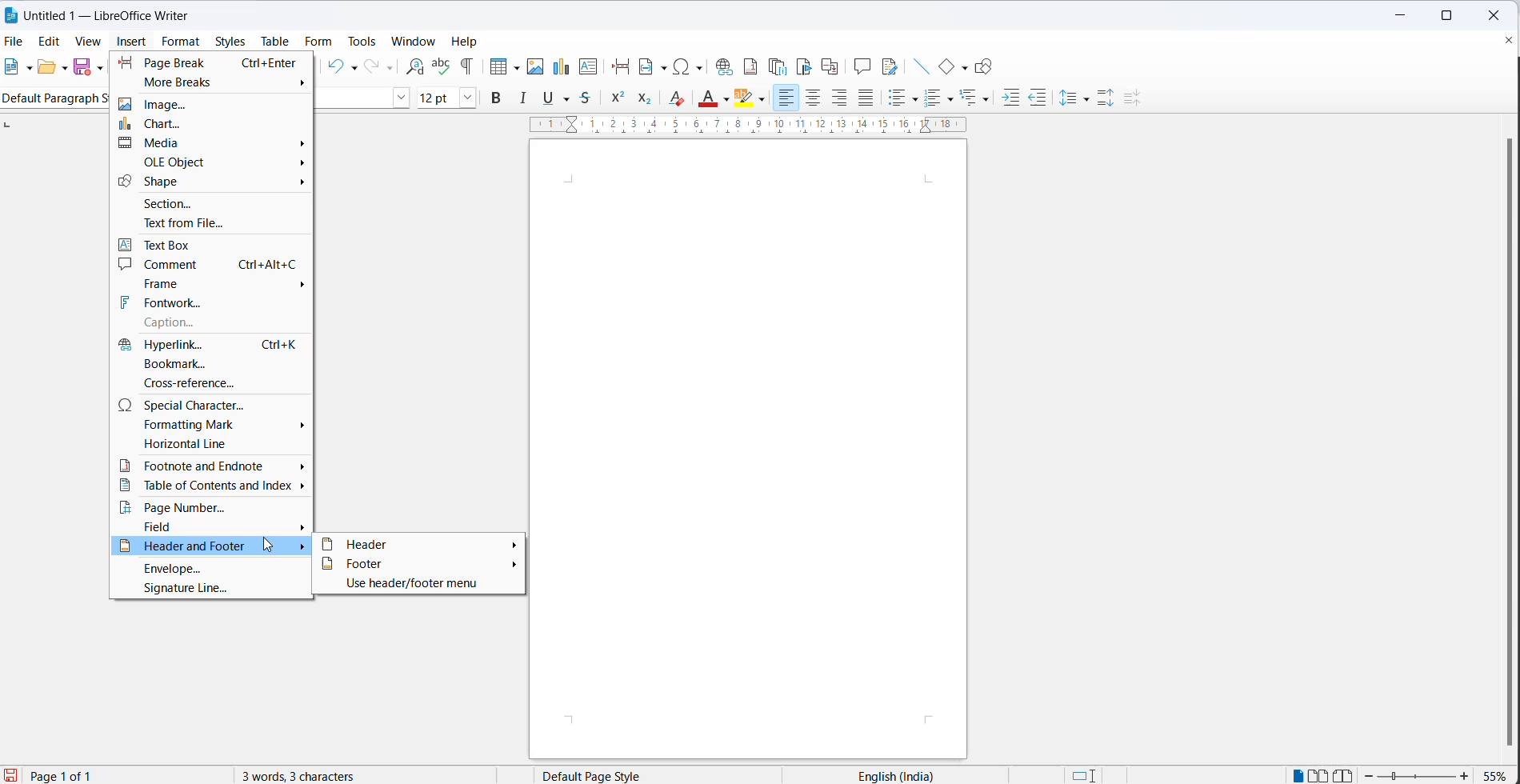 The height and width of the screenshot is (784, 1520). What do you see at coordinates (569, 98) in the screenshot?
I see `strike through` at bounding box center [569, 98].